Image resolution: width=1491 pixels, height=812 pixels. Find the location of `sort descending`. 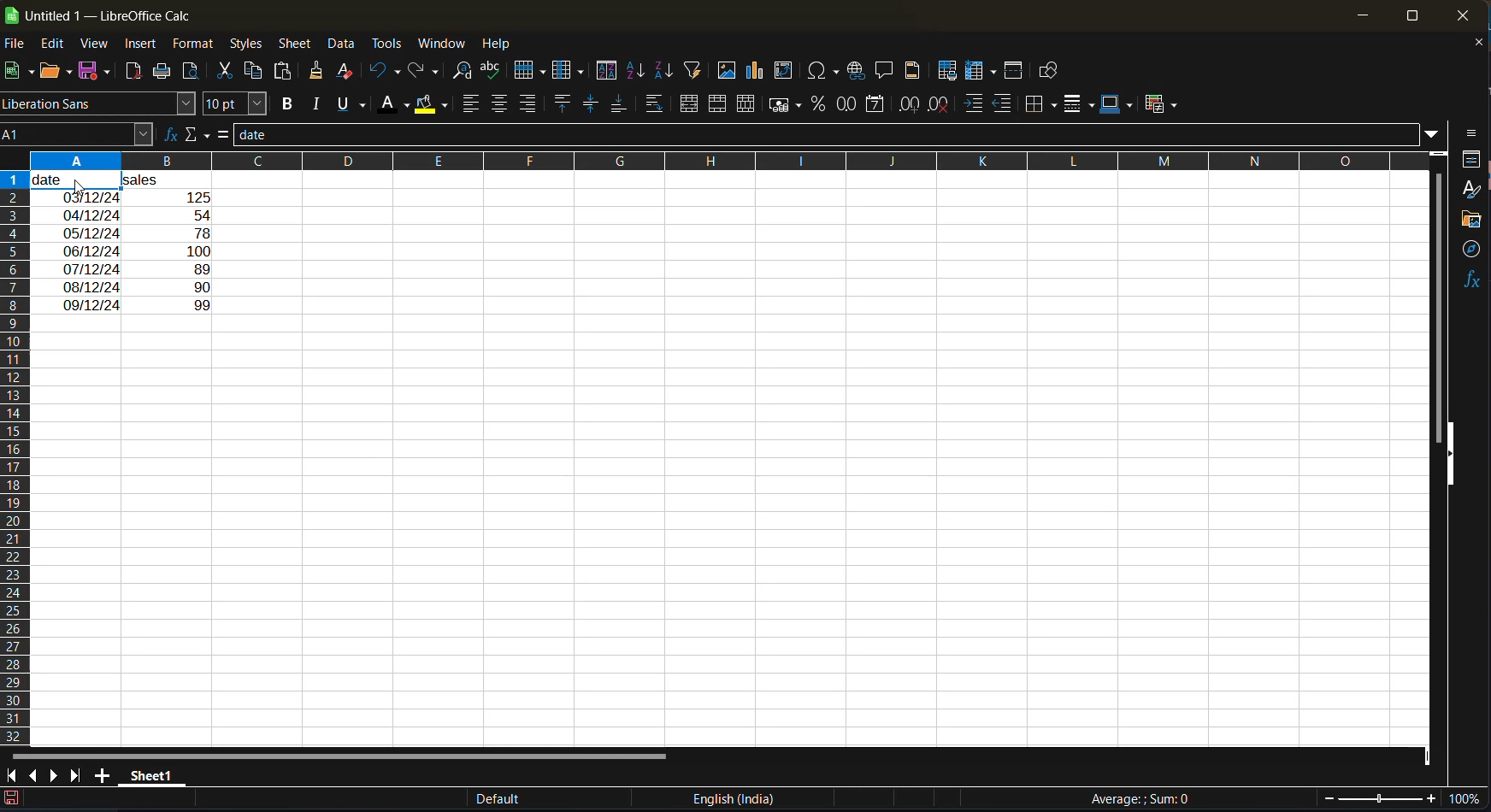

sort descending is located at coordinates (663, 70).